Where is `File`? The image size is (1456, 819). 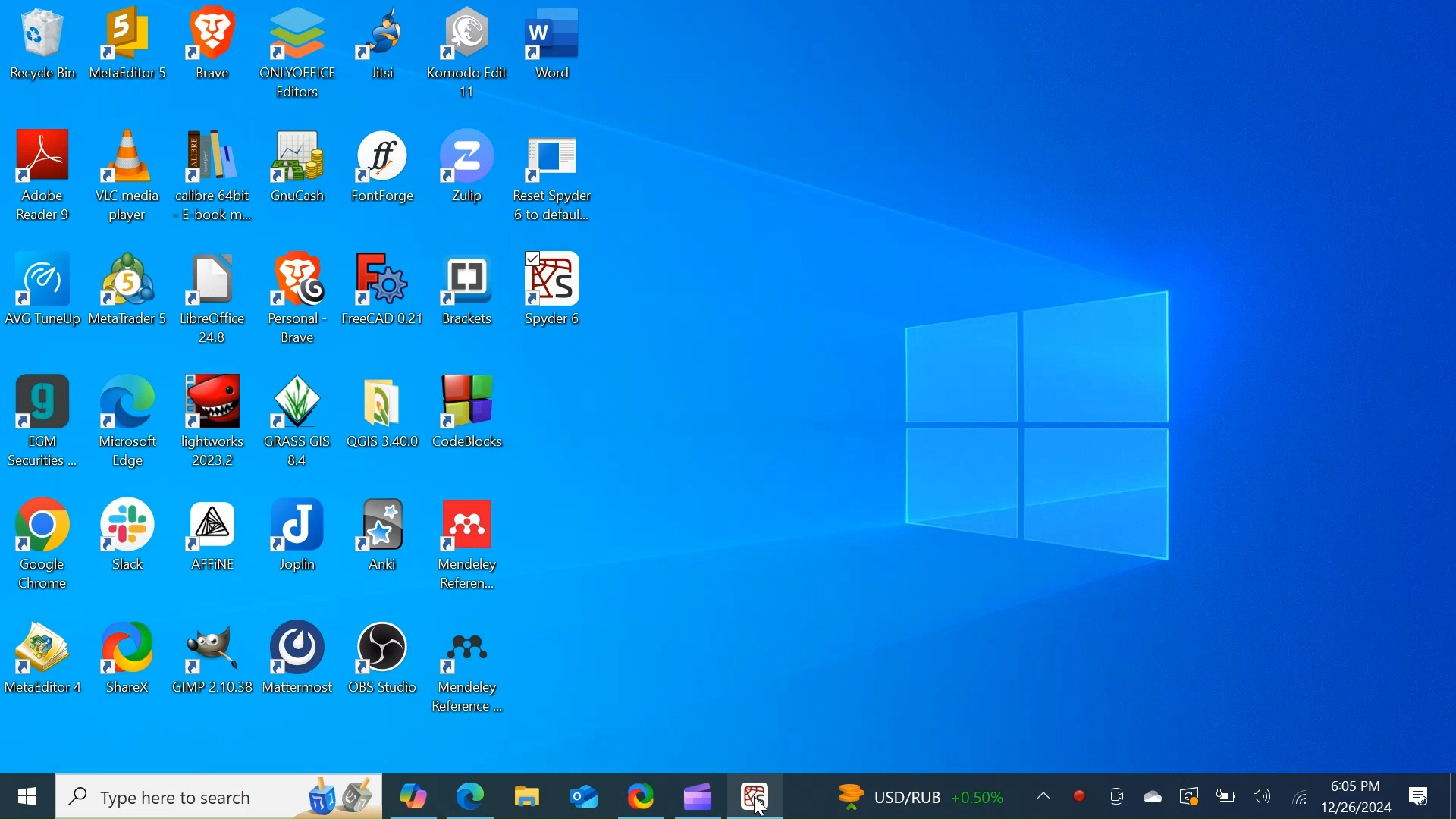 File is located at coordinates (215, 300).